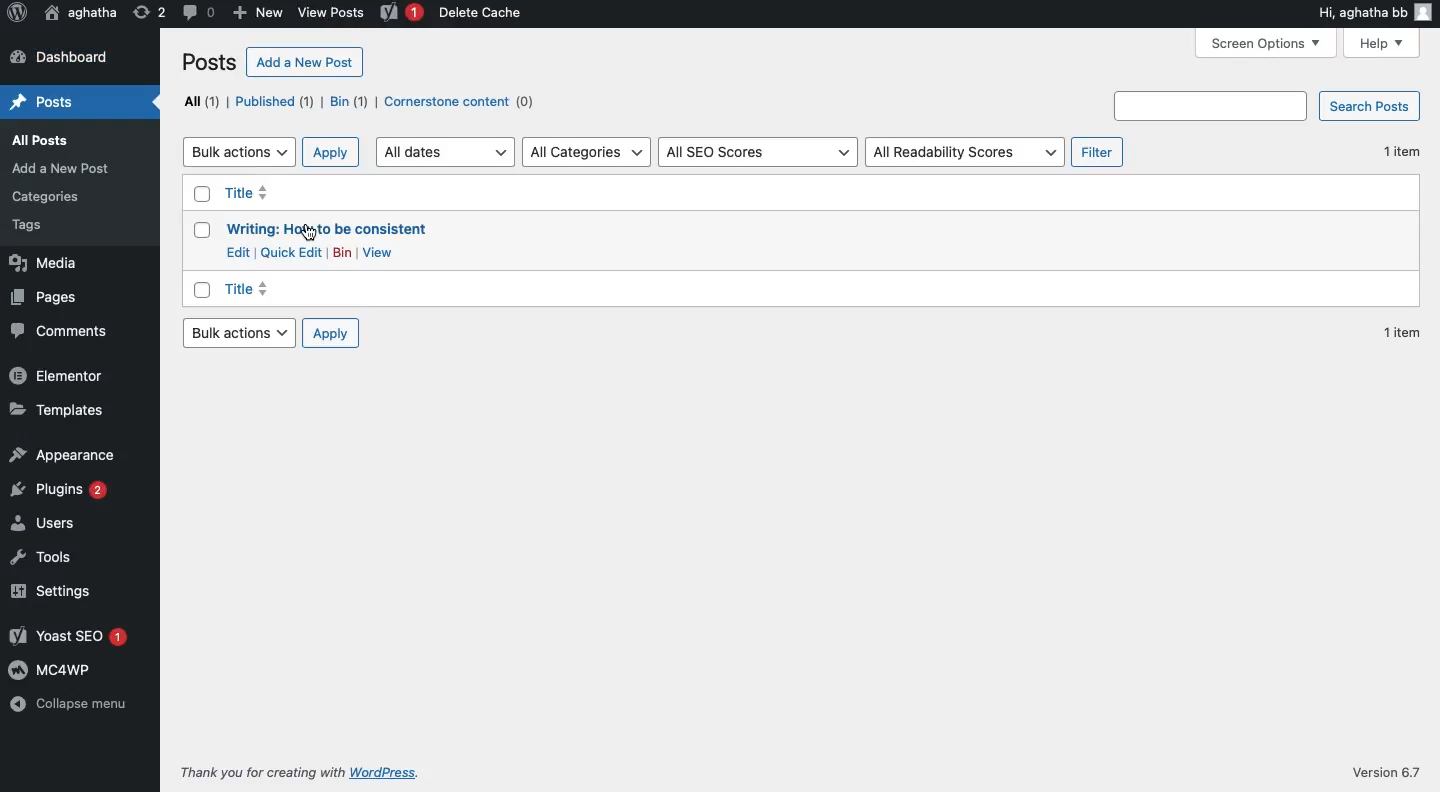 The height and width of the screenshot is (792, 1440). I want to click on Filter, so click(1098, 154).